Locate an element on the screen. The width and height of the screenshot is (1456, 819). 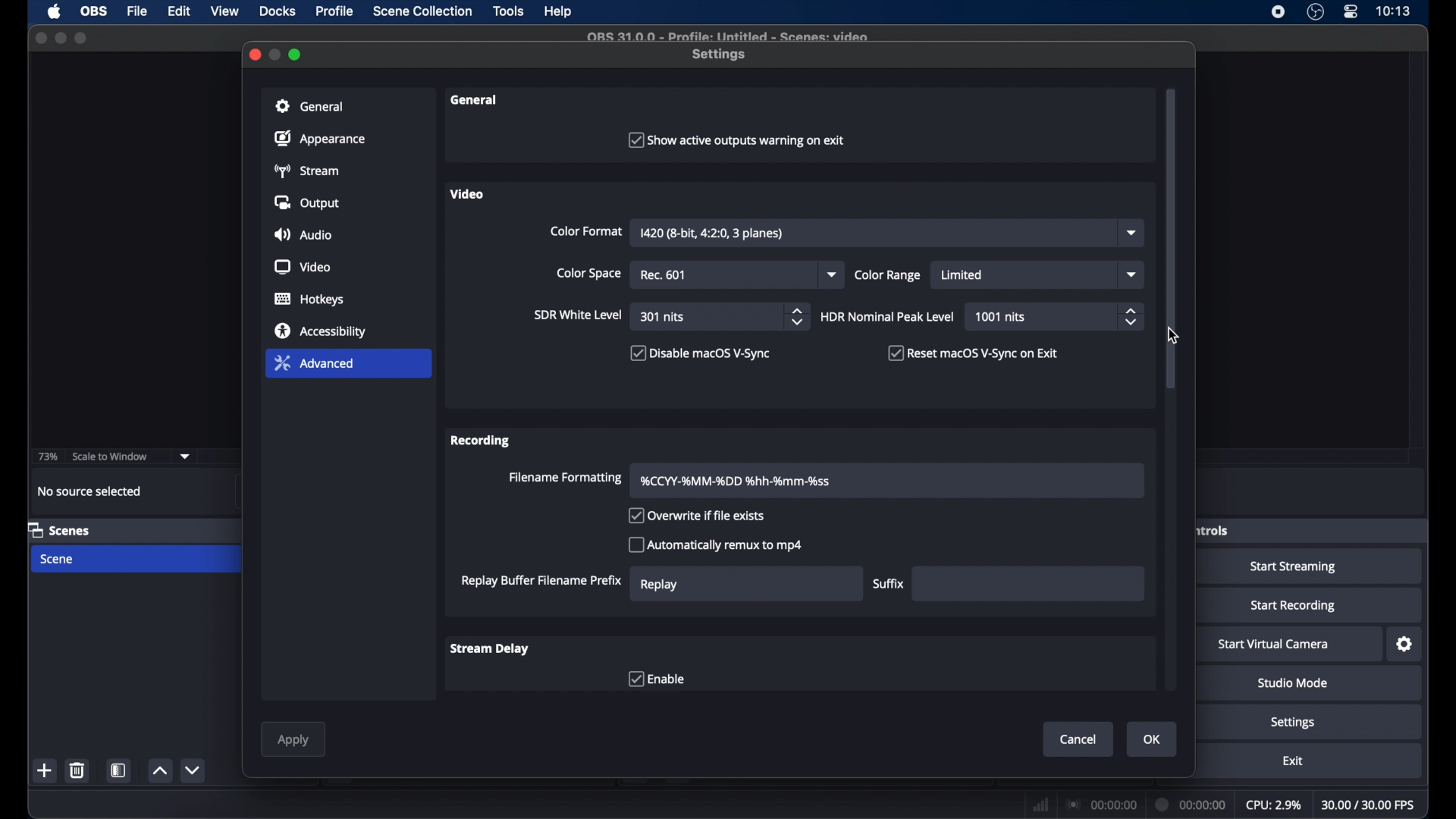
301 nits is located at coordinates (661, 317).